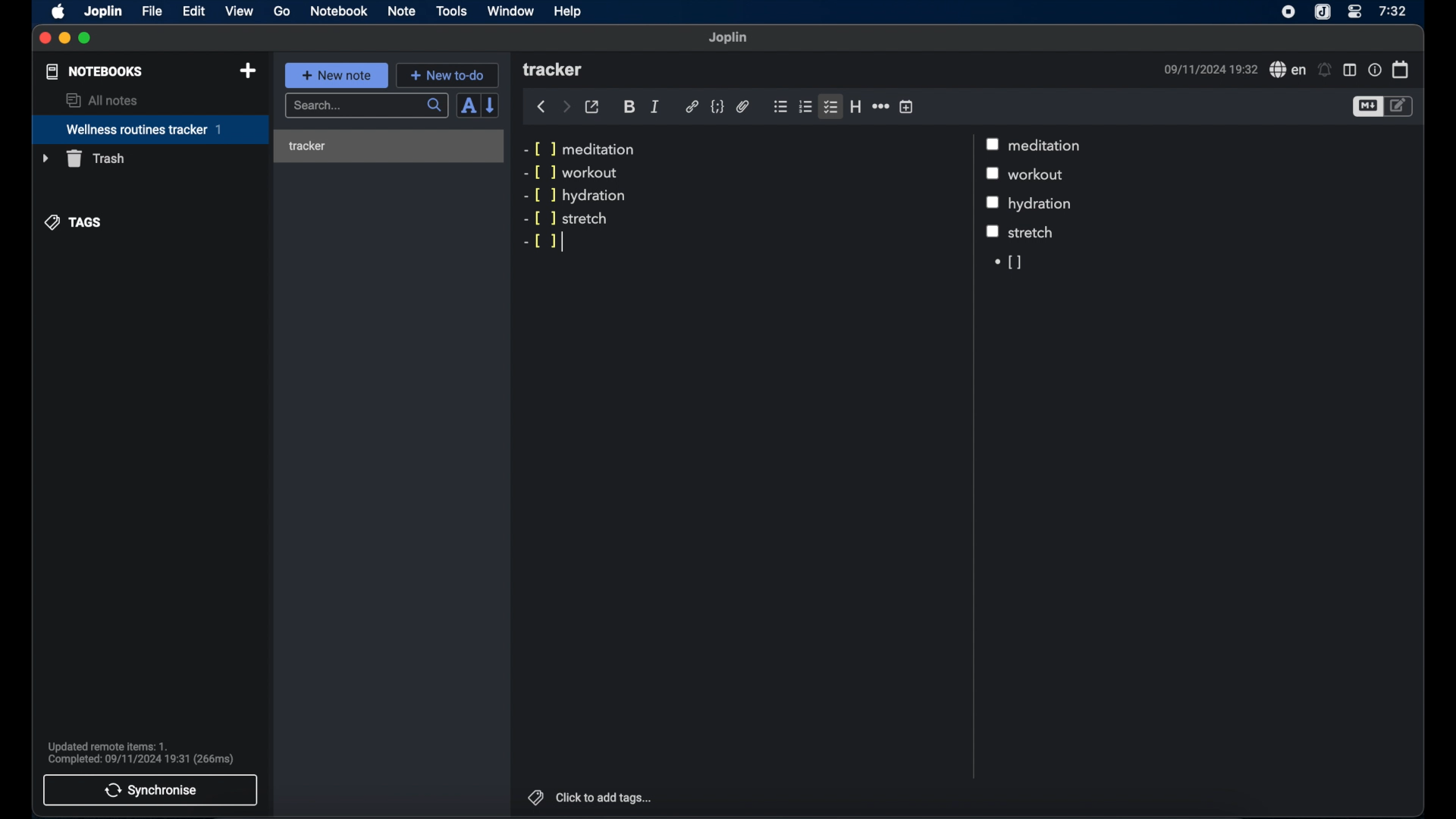 The height and width of the screenshot is (819, 1456). Describe the element at coordinates (1401, 69) in the screenshot. I see `calendar` at that location.